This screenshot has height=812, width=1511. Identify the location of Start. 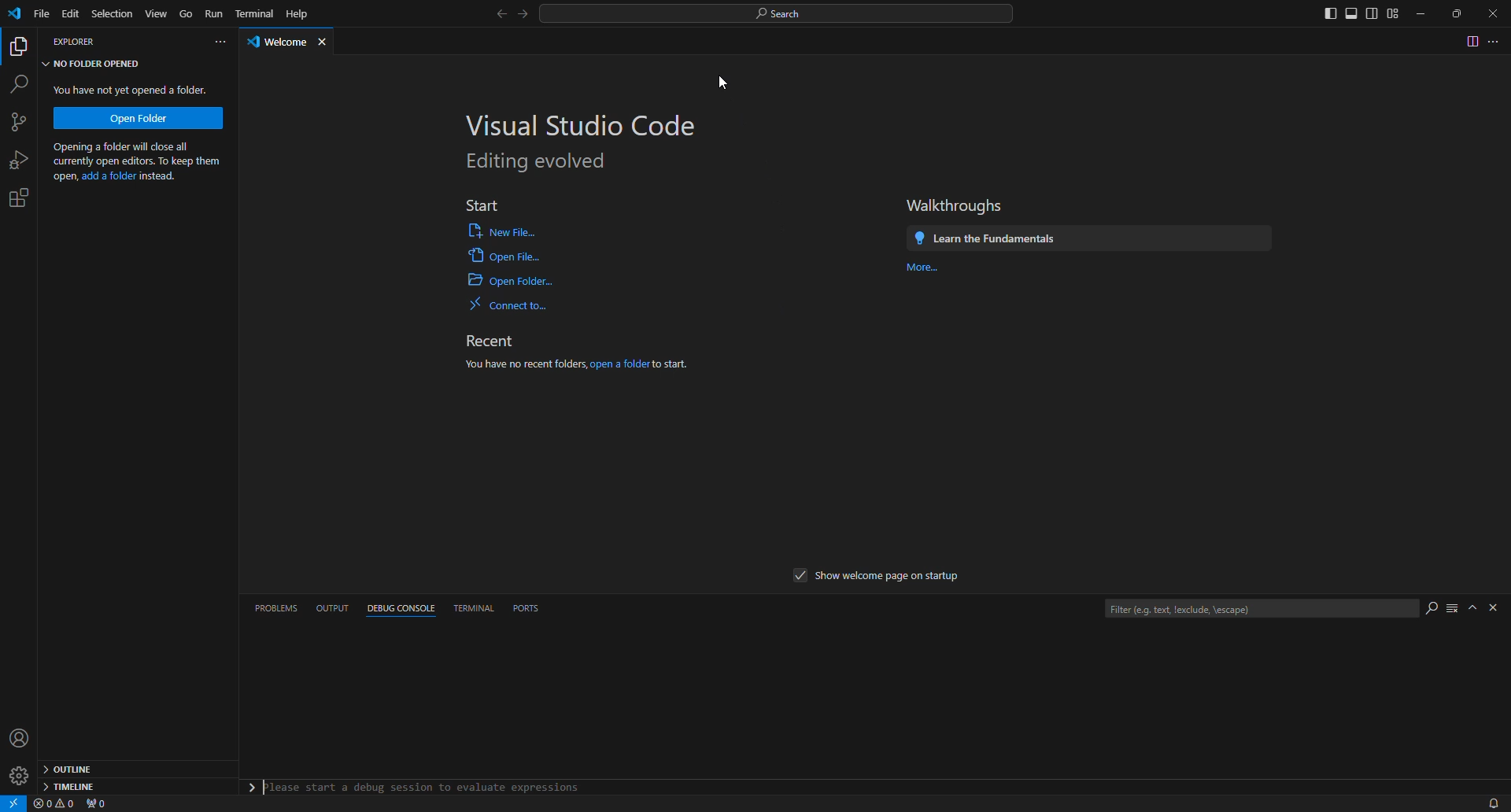
(488, 205).